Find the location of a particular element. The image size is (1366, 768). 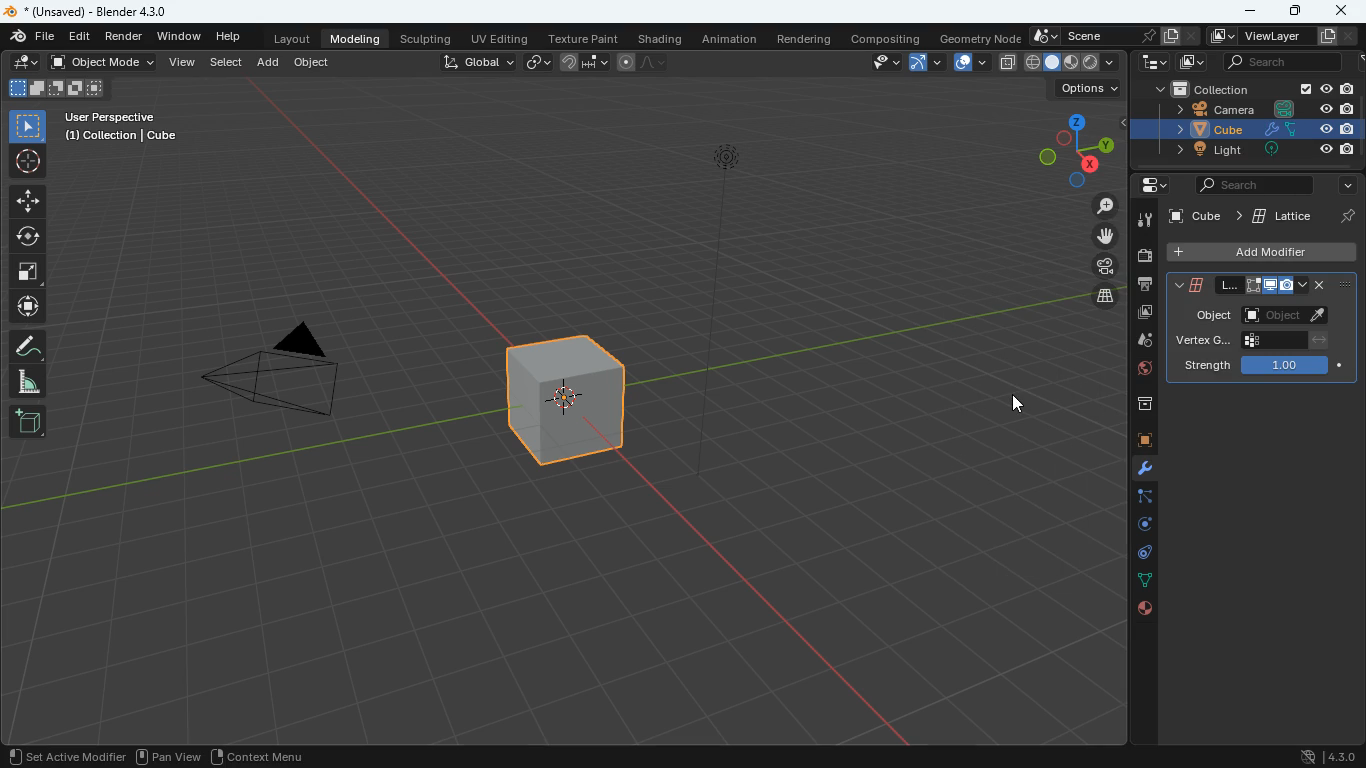

geometry node is located at coordinates (982, 38).